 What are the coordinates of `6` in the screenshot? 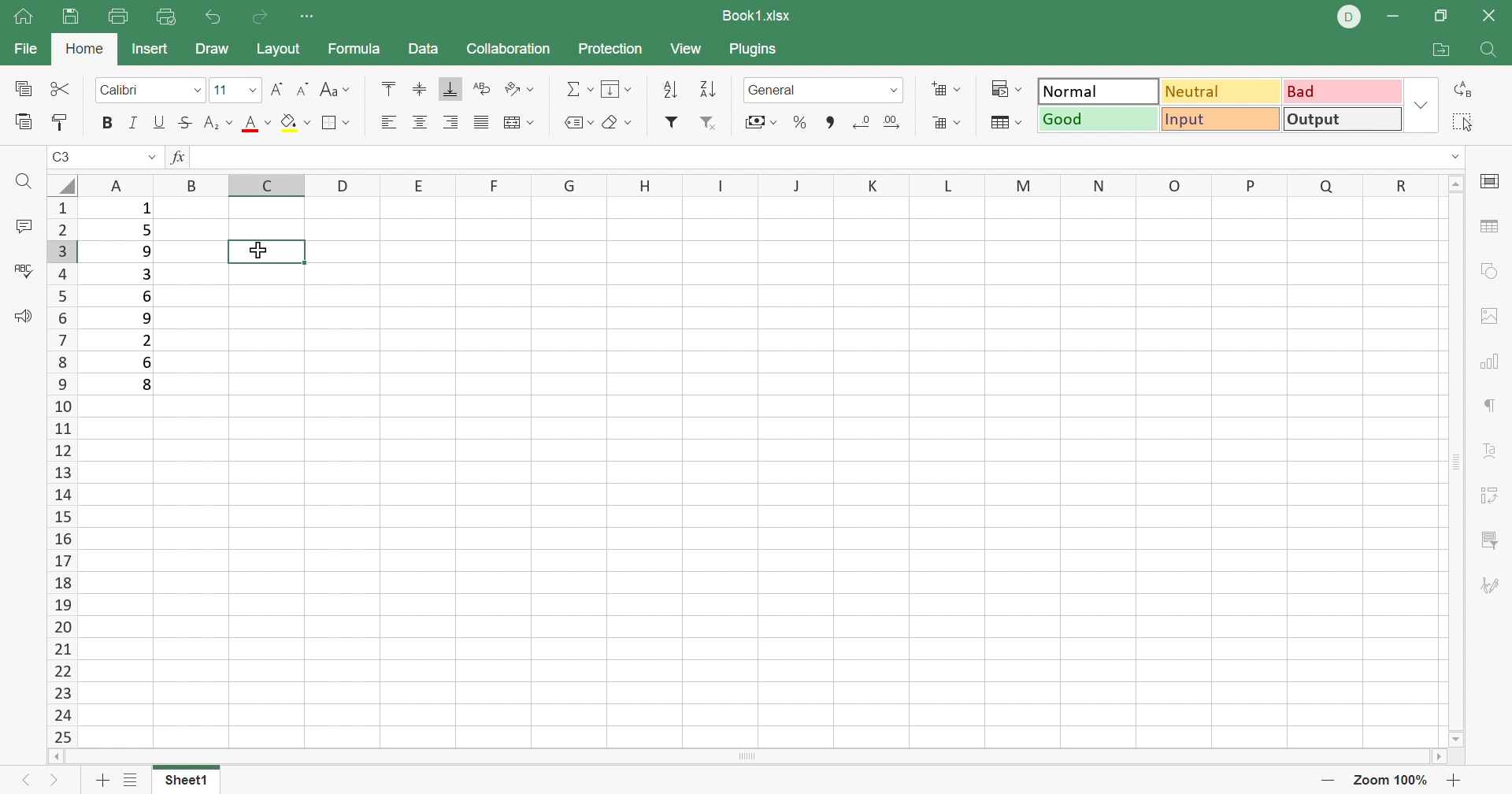 It's located at (148, 297).